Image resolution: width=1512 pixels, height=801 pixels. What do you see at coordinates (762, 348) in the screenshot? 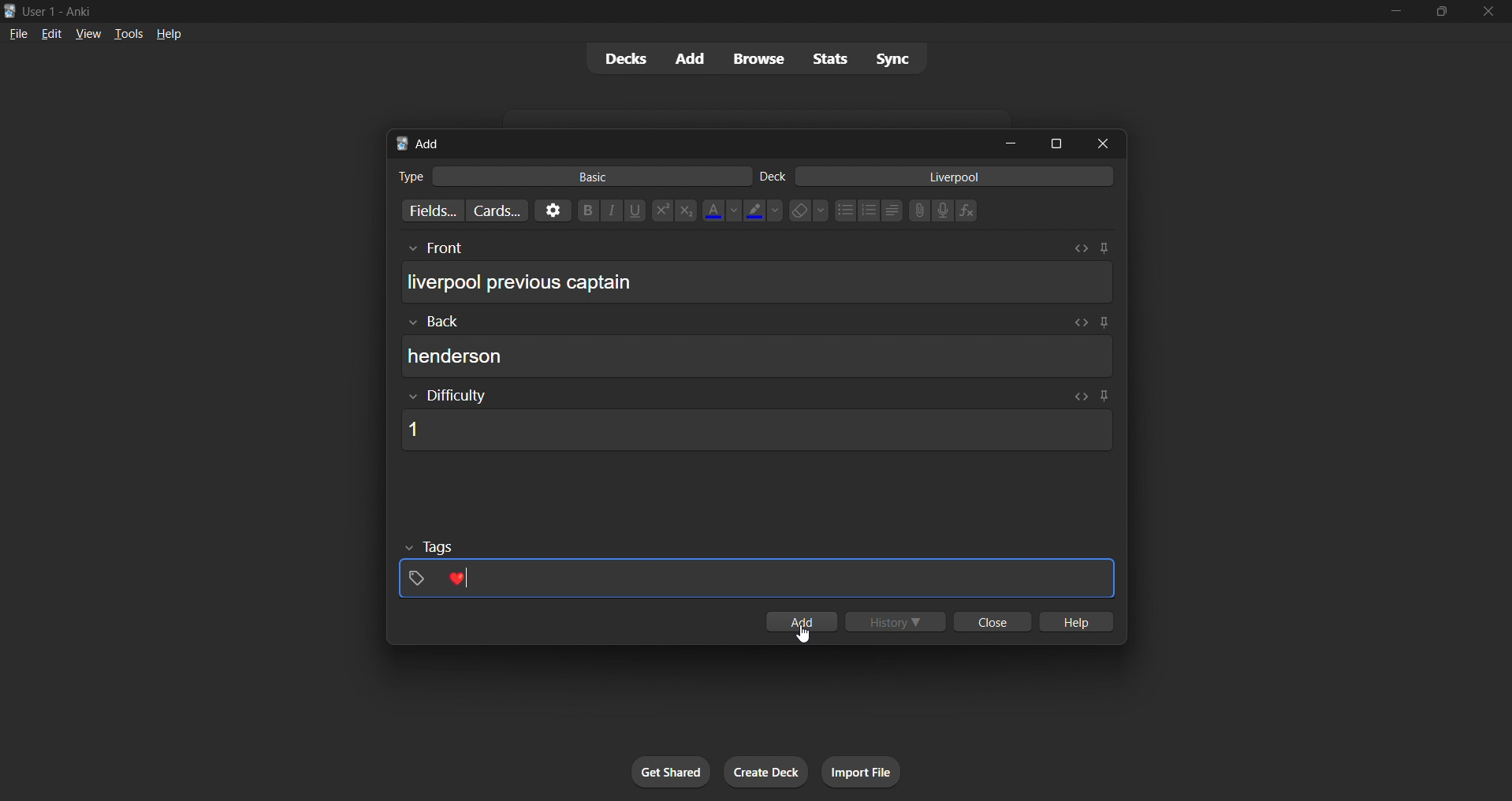
I see `card back input box` at bounding box center [762, 348].